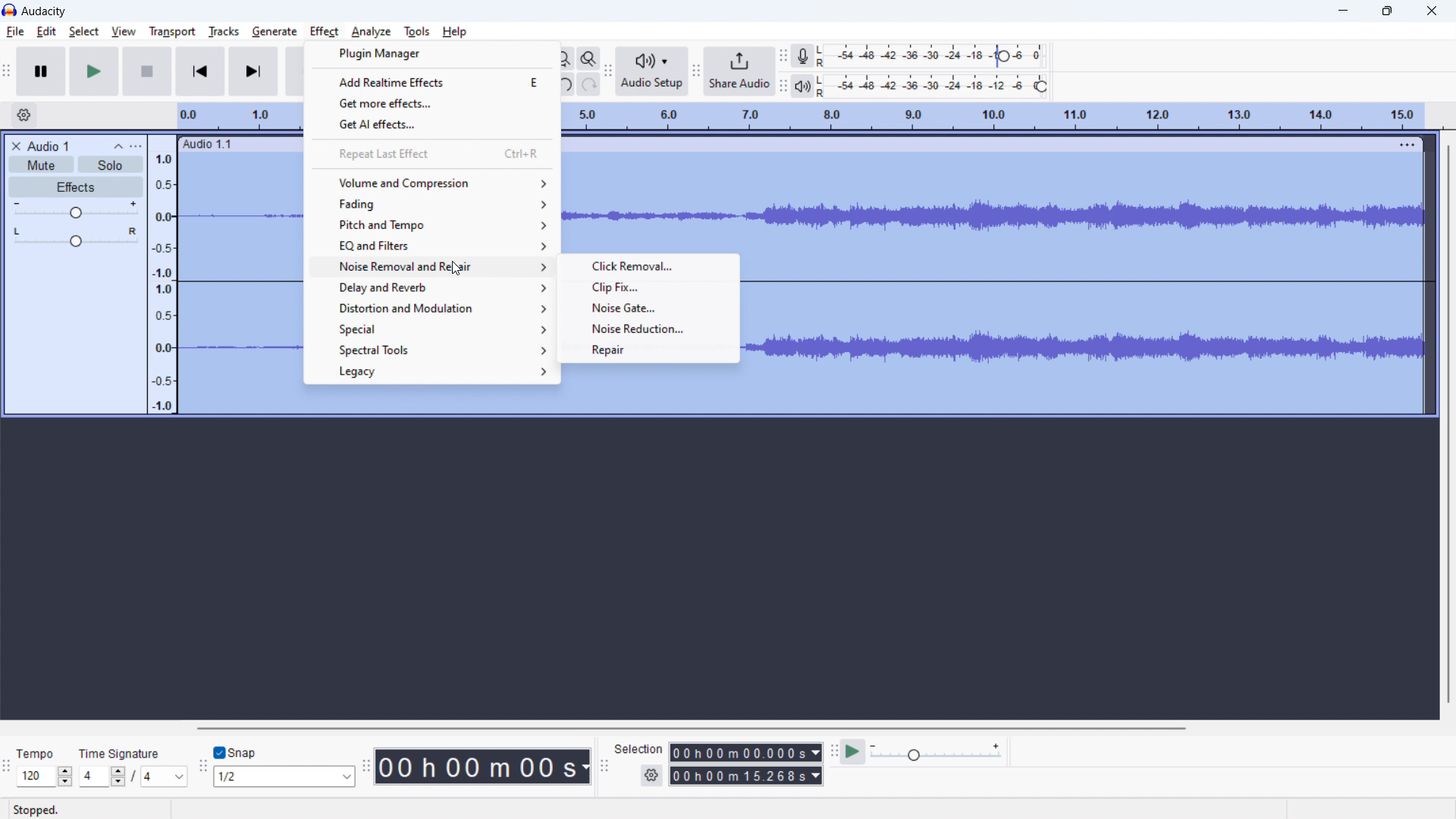 Image resolution: width=1456 pixels, height=819 pixels. I want to click on get AI effects, so click(431, 124).